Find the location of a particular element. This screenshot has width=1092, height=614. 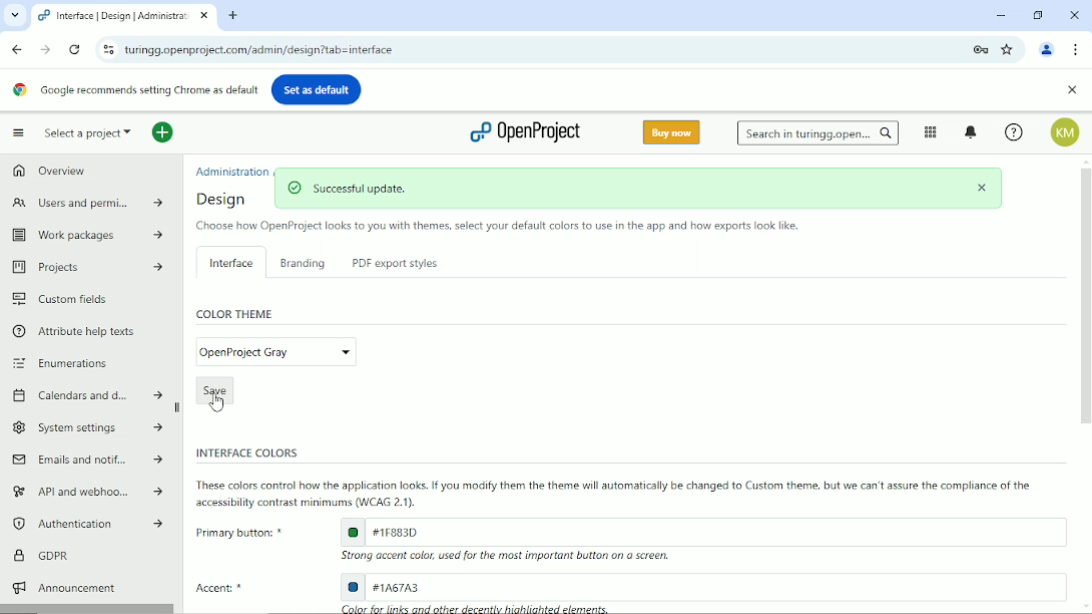

Calendars and dates is located at coordinates (87, 393).